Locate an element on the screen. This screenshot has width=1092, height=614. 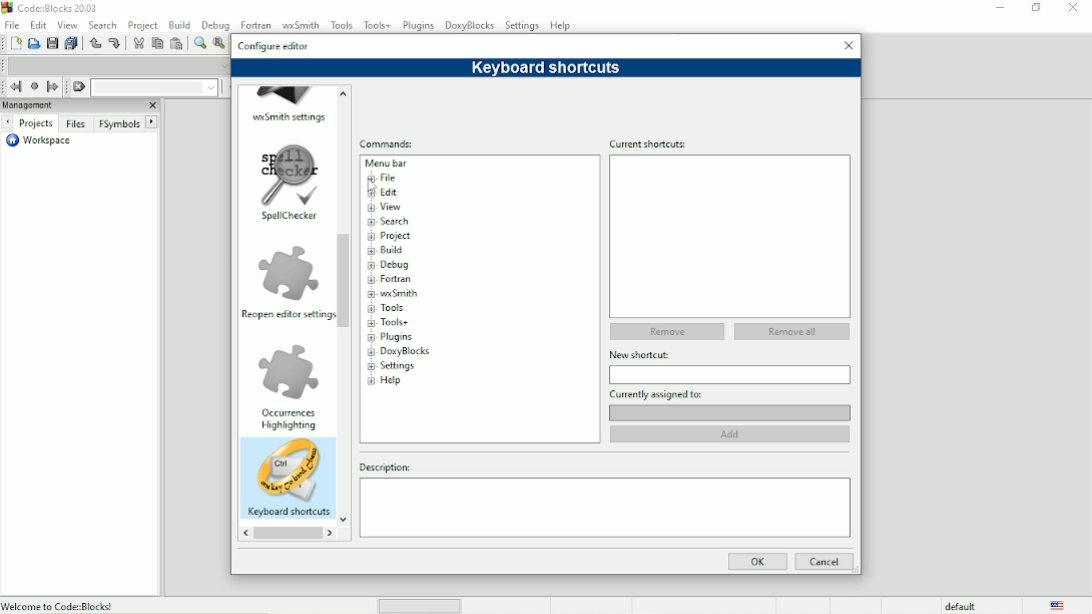
Help is located at coordinates (394, 382).